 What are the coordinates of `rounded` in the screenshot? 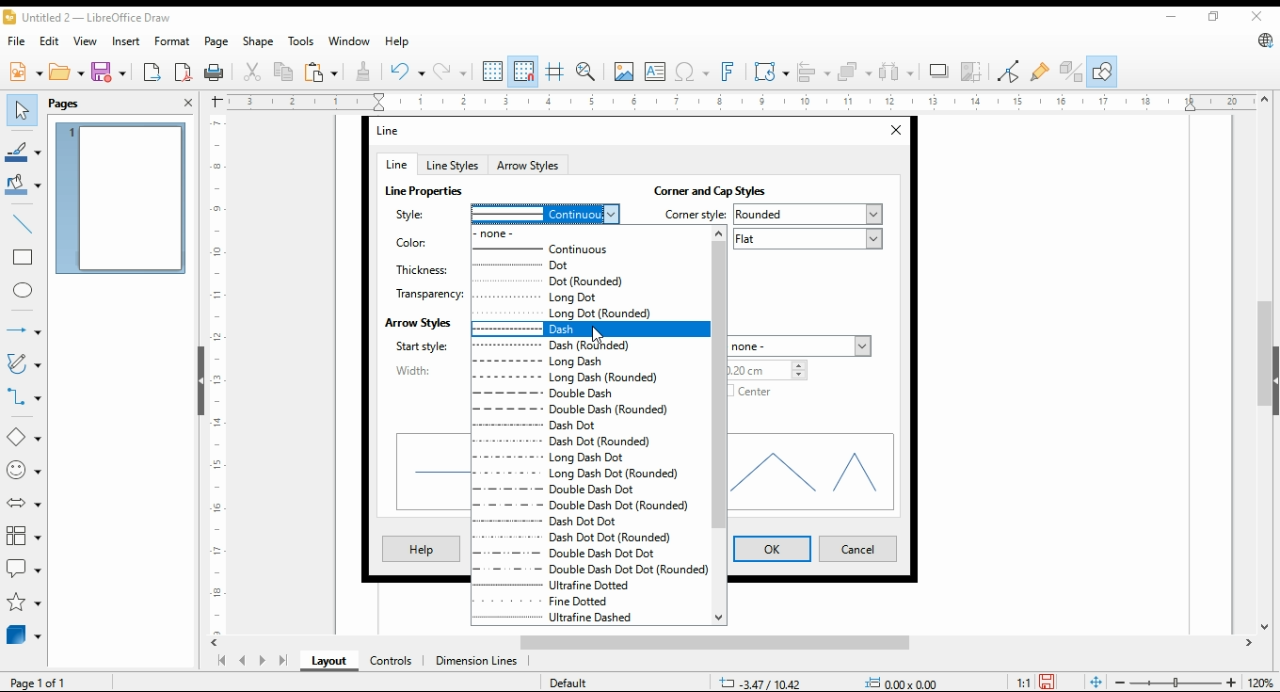 It's located at (809, 214).